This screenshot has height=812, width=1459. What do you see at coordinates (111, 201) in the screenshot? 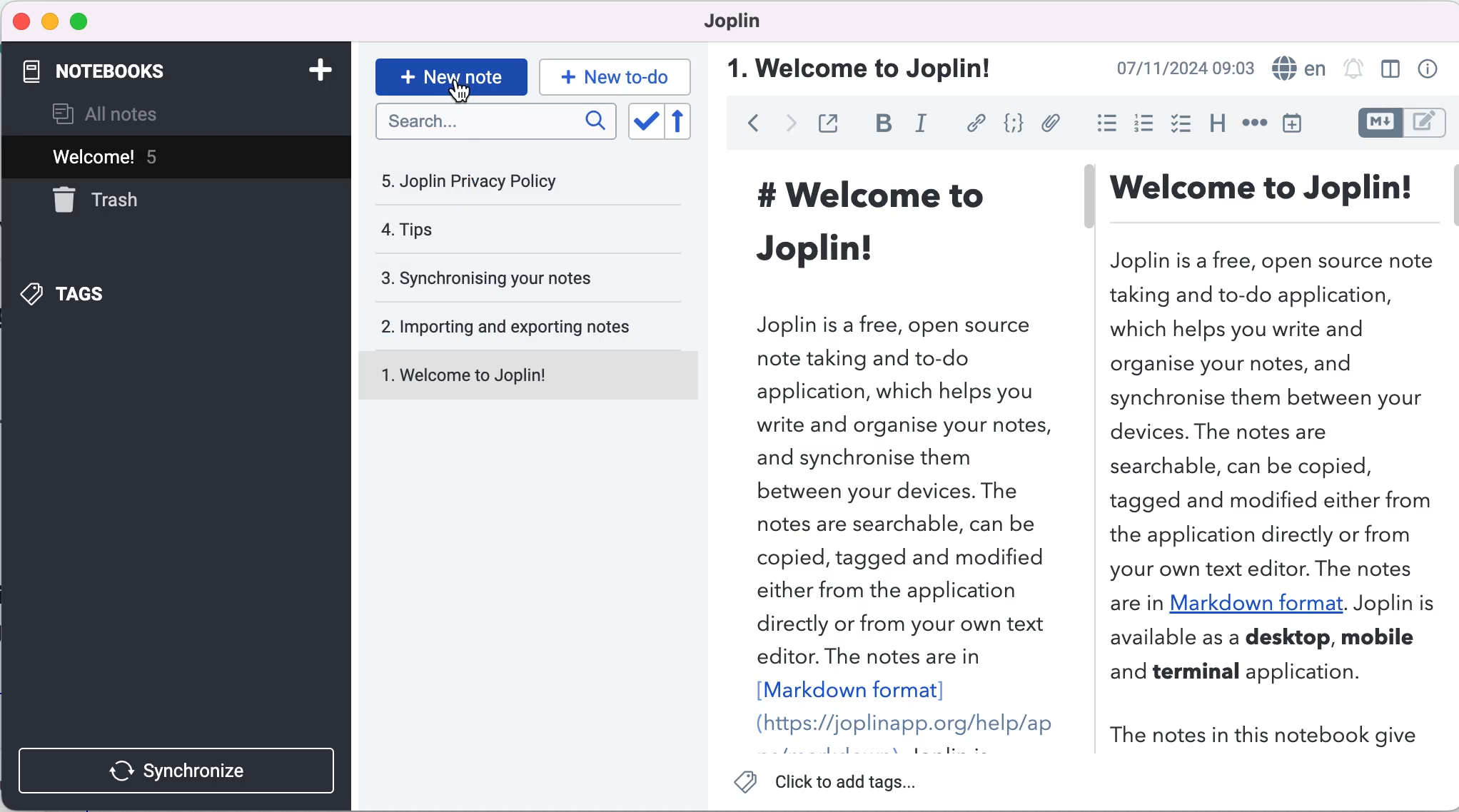
I see `trash` at bounding box center [111, 201].